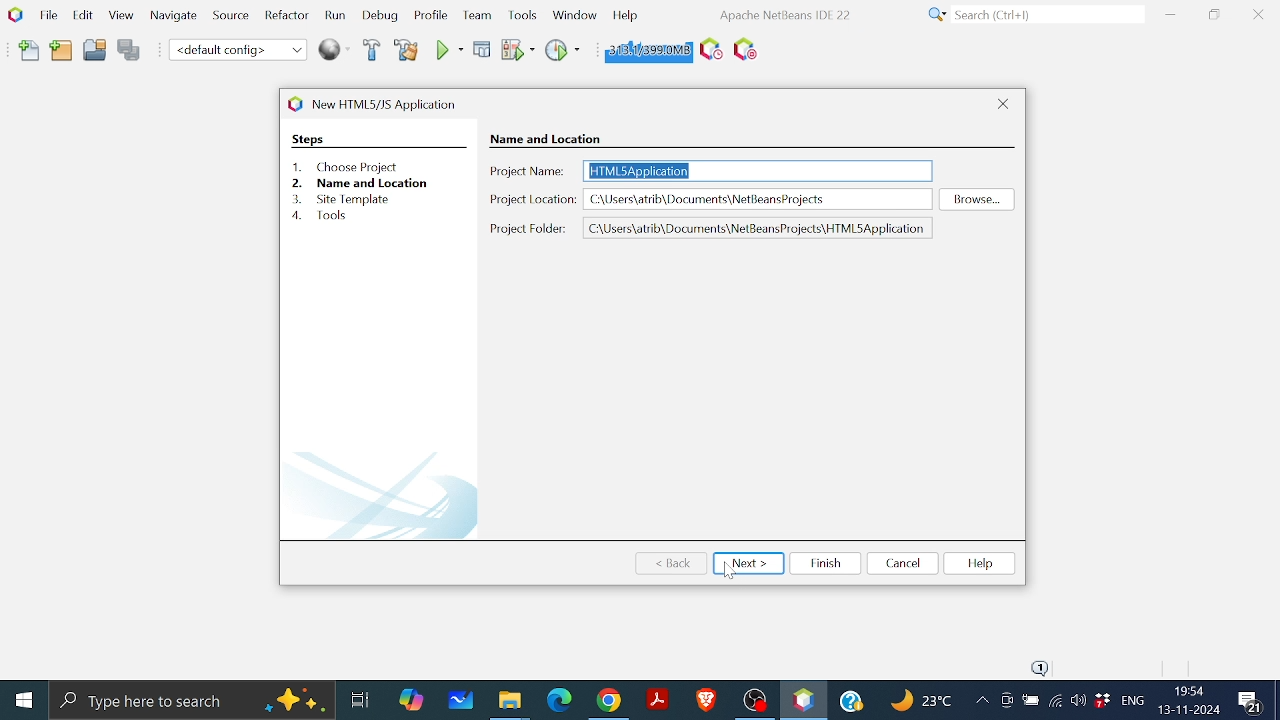  Describe the element at coordinates (1188, 700) in the screenshot. I see `Date and time` at that location.